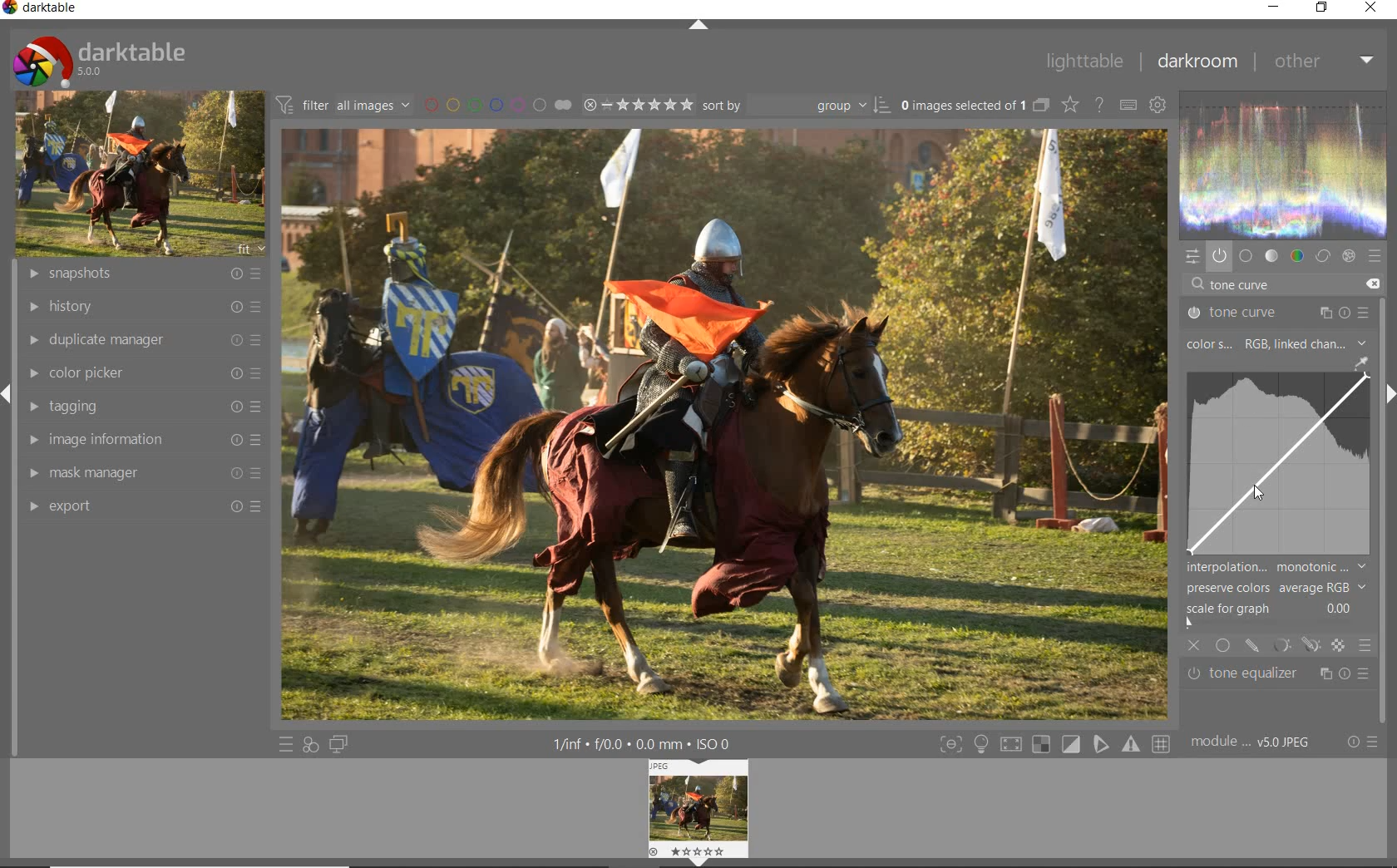  Describe the element at coordinates (1283, 462) in the screenshot. I see `tone curve` at that location.